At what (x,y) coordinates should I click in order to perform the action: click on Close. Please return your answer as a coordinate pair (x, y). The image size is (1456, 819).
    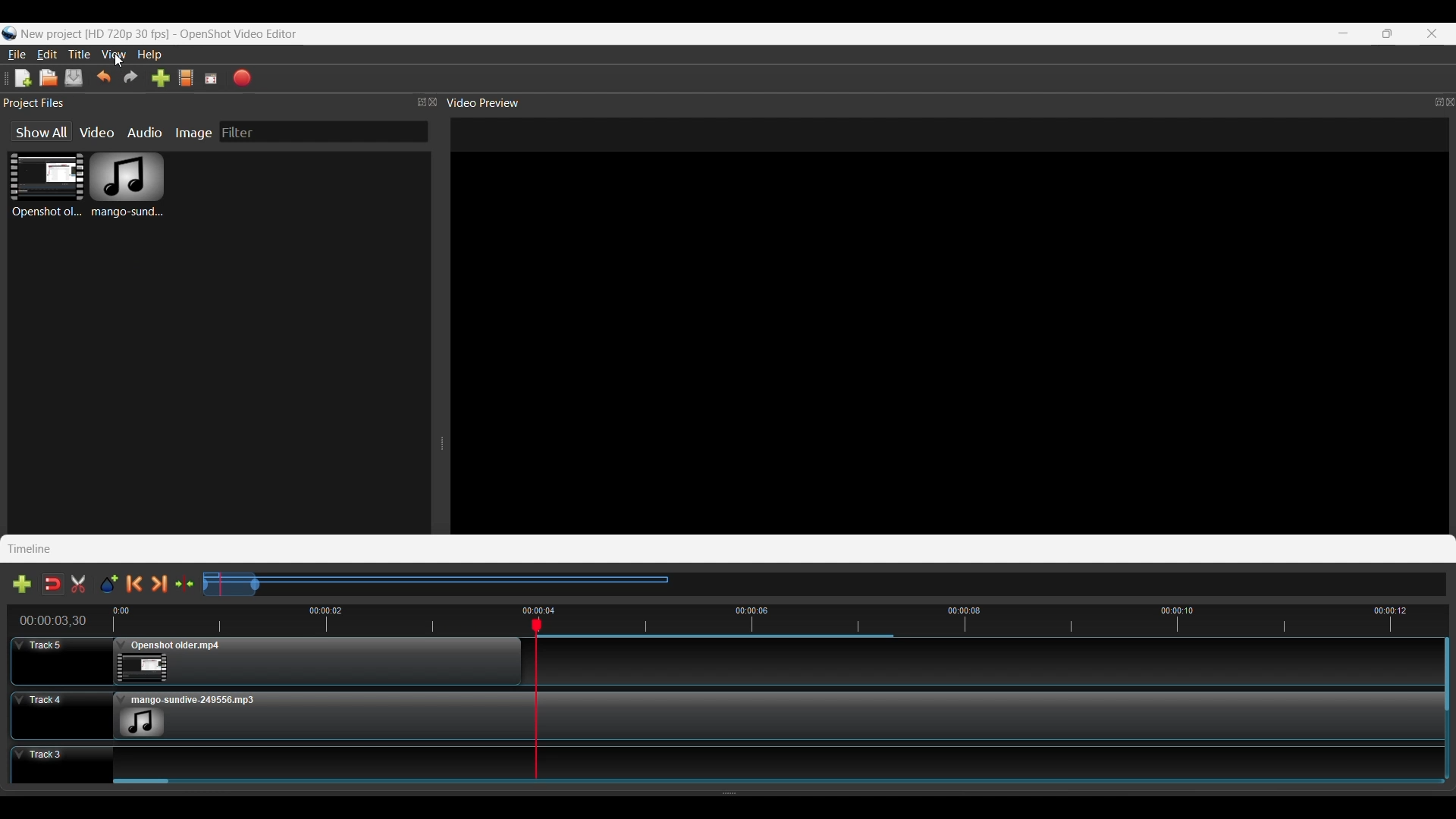
    Looking at the image, I should click on (1447, 104).